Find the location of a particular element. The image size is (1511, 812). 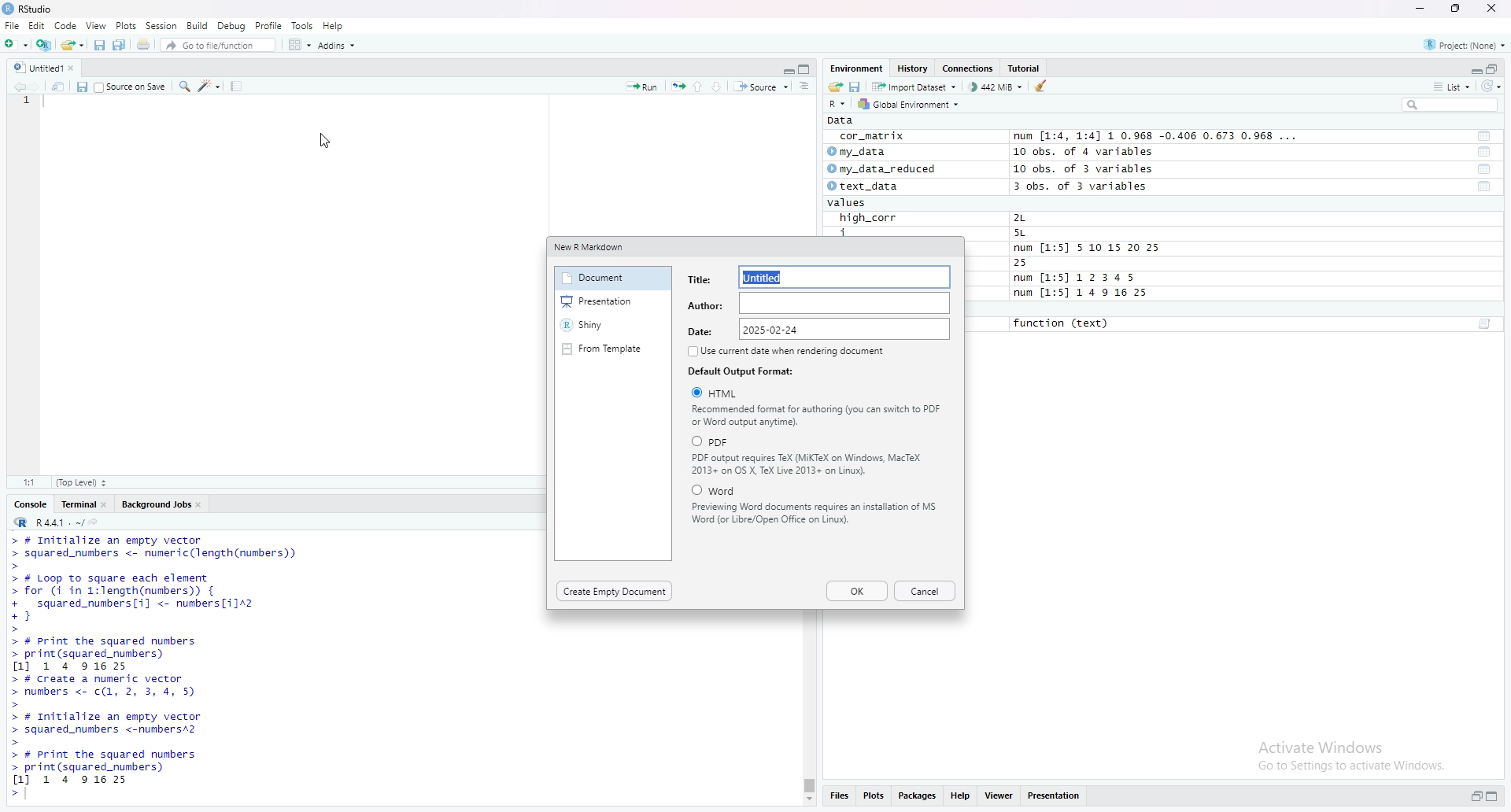

vbertical Scrollbar  is located at coordinates (806, 783).